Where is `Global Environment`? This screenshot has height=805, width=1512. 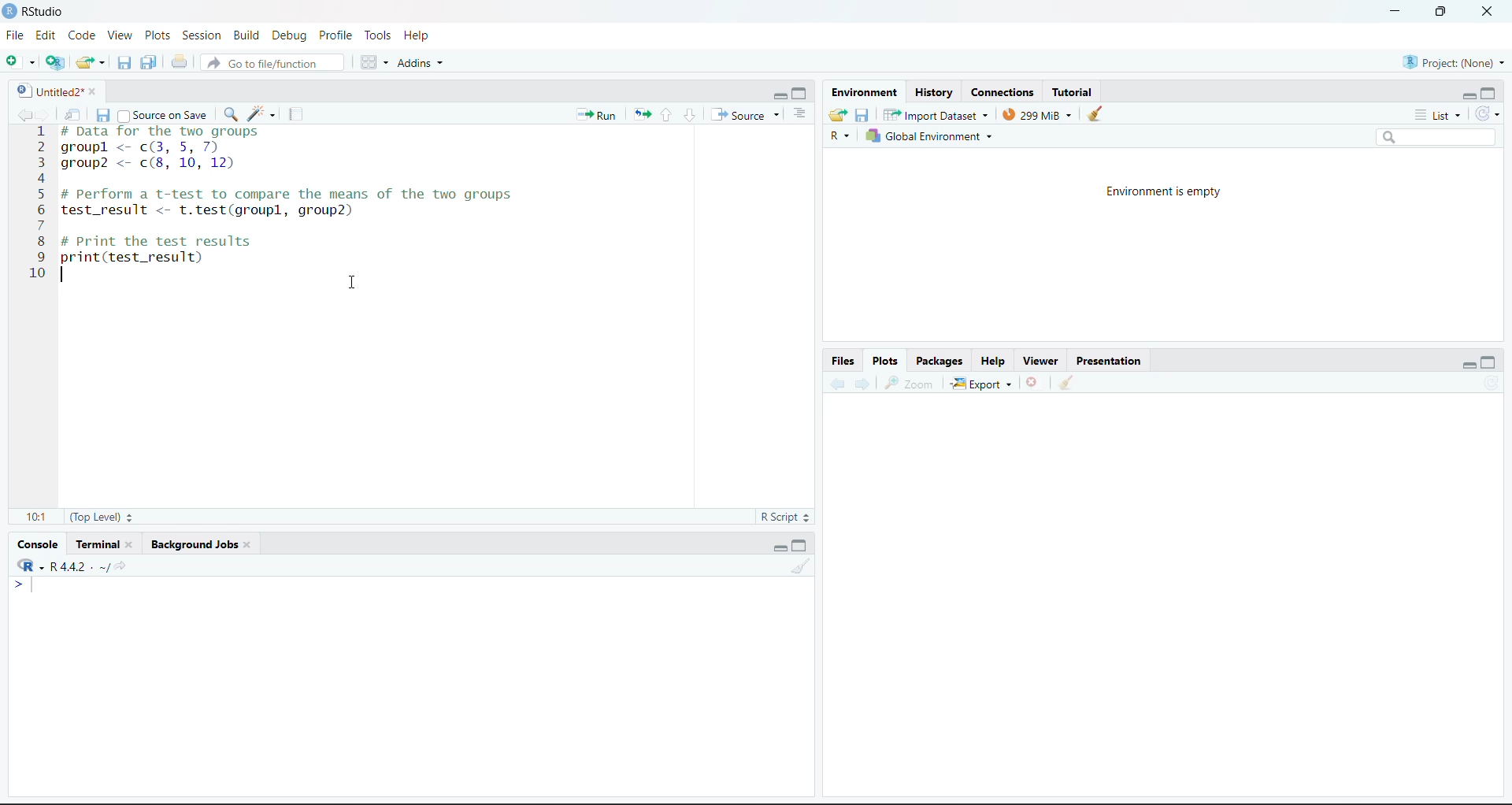 Global Environment is located at coordinates (928, 135).